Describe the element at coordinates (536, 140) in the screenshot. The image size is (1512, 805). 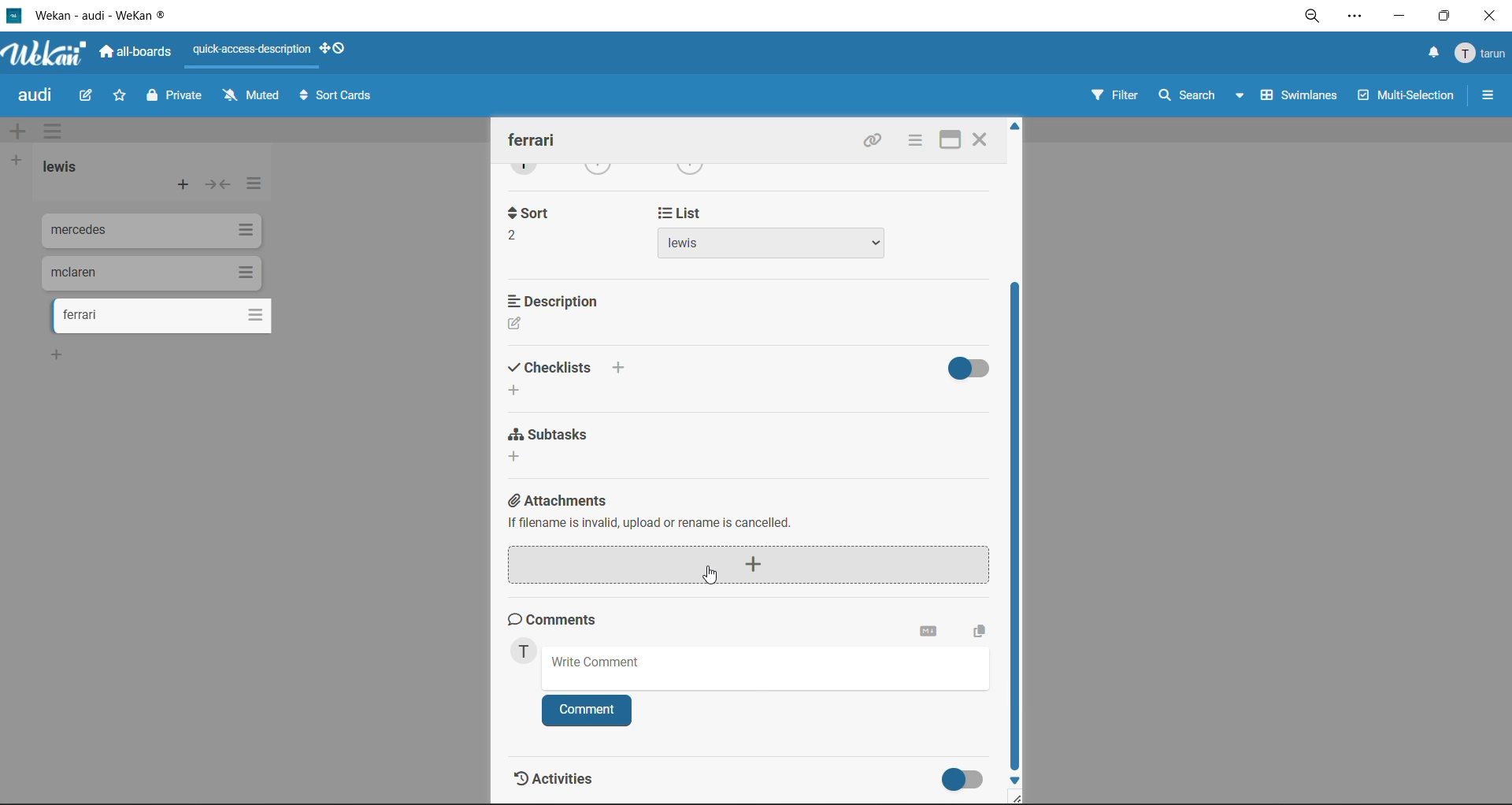
I see `card title` at that location.